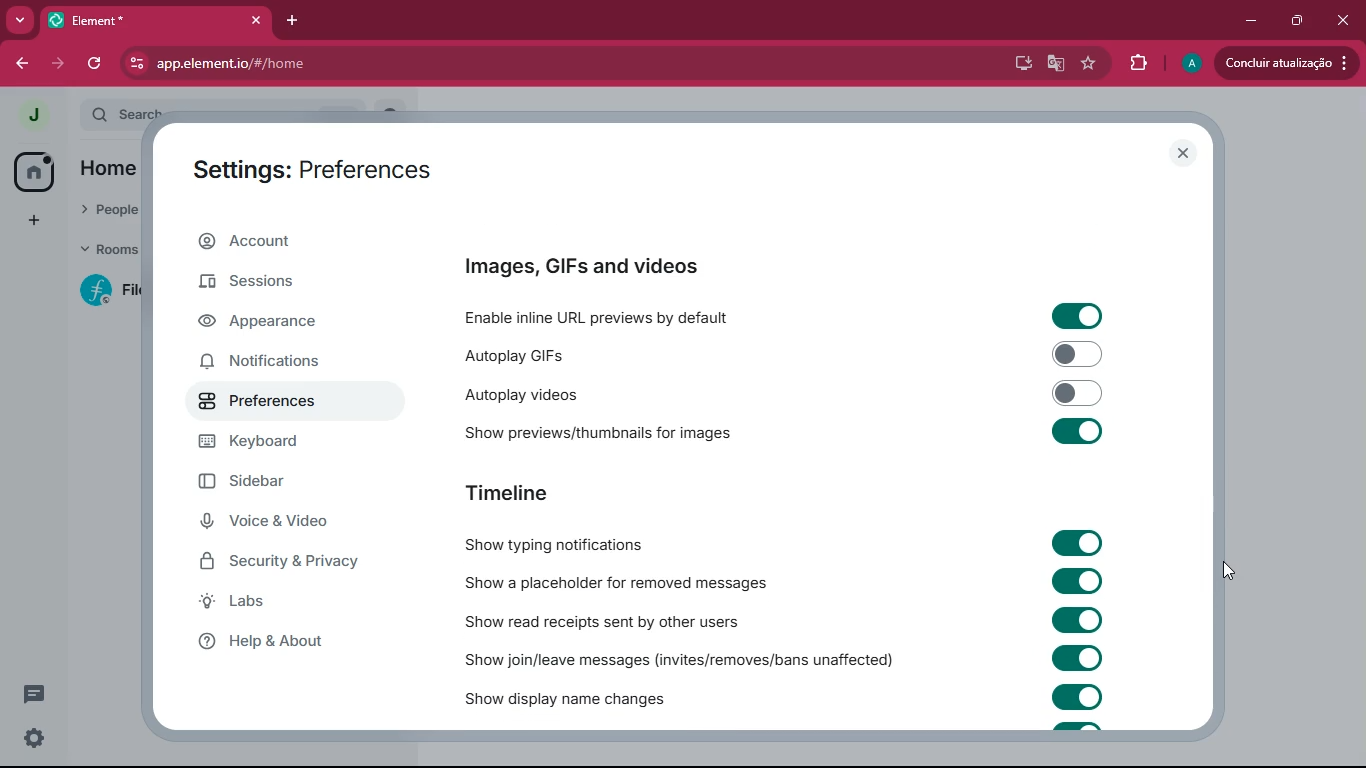 The image size is (1366, 768). Describe the element at coordinates (96, 64) in the screenshot. I see `refresh` at that location.